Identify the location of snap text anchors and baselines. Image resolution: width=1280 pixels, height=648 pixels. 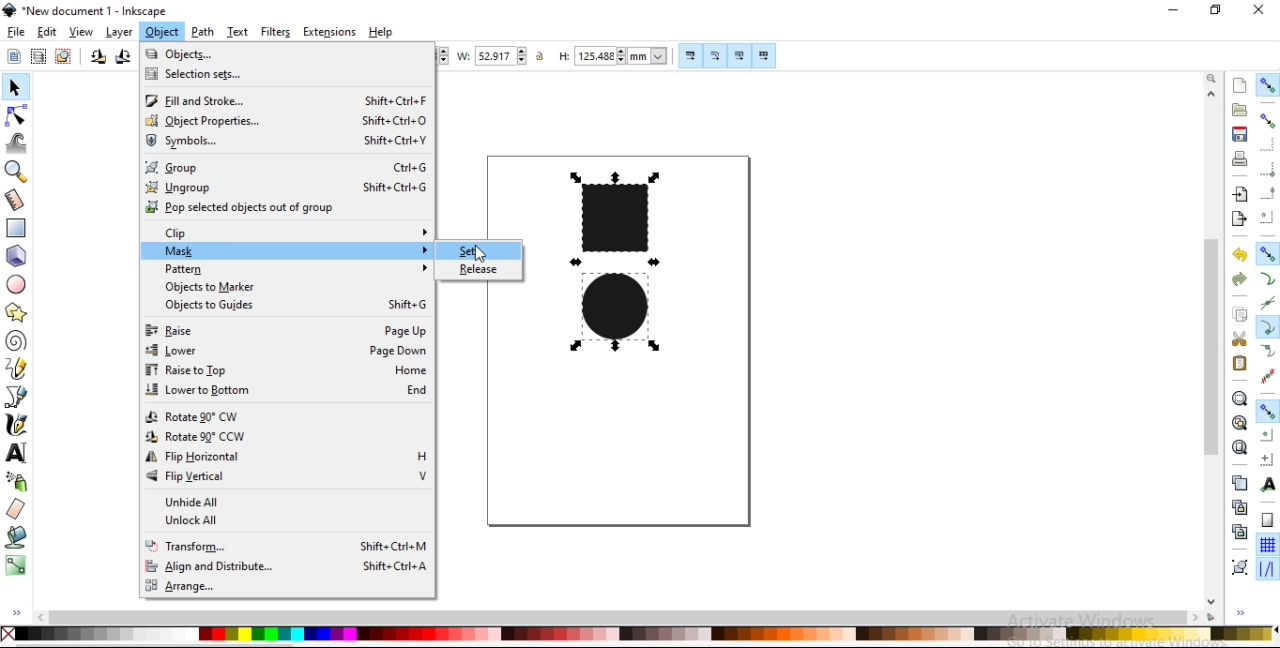
(1268, 483).